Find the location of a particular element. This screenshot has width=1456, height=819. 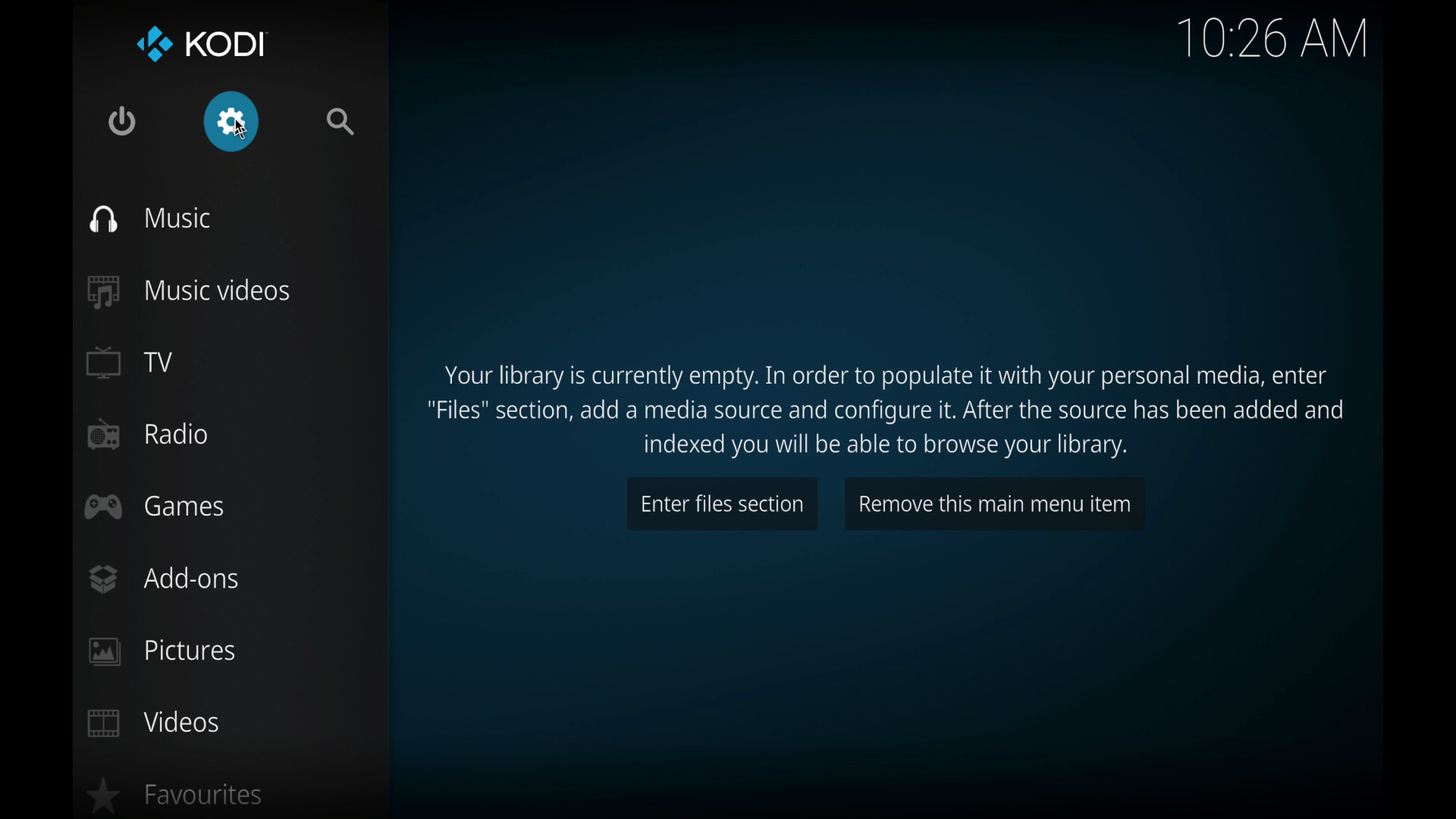

music is located at coordinates (151, 218).